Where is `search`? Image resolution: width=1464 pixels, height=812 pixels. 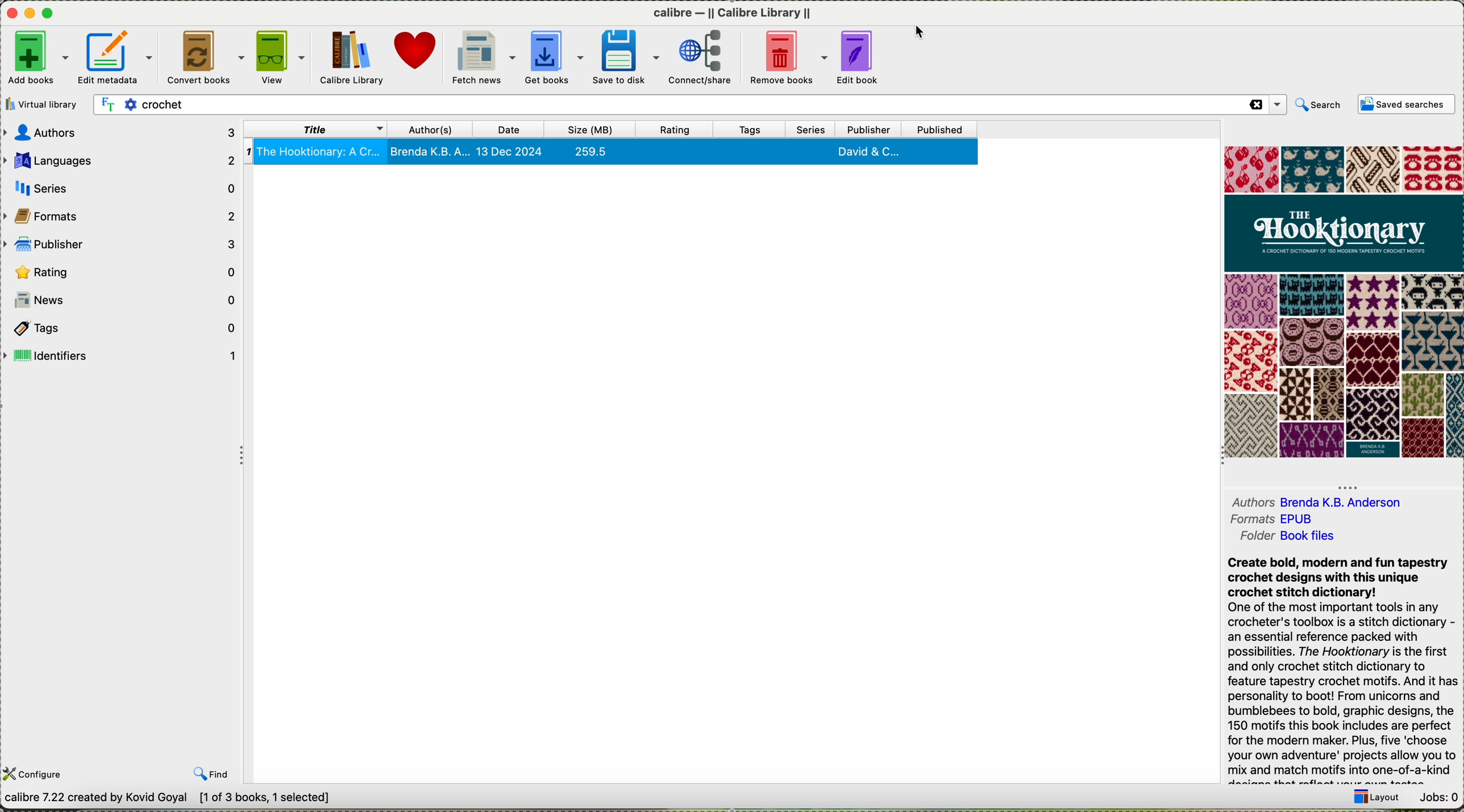 search is located at coordinates (1318, 106).